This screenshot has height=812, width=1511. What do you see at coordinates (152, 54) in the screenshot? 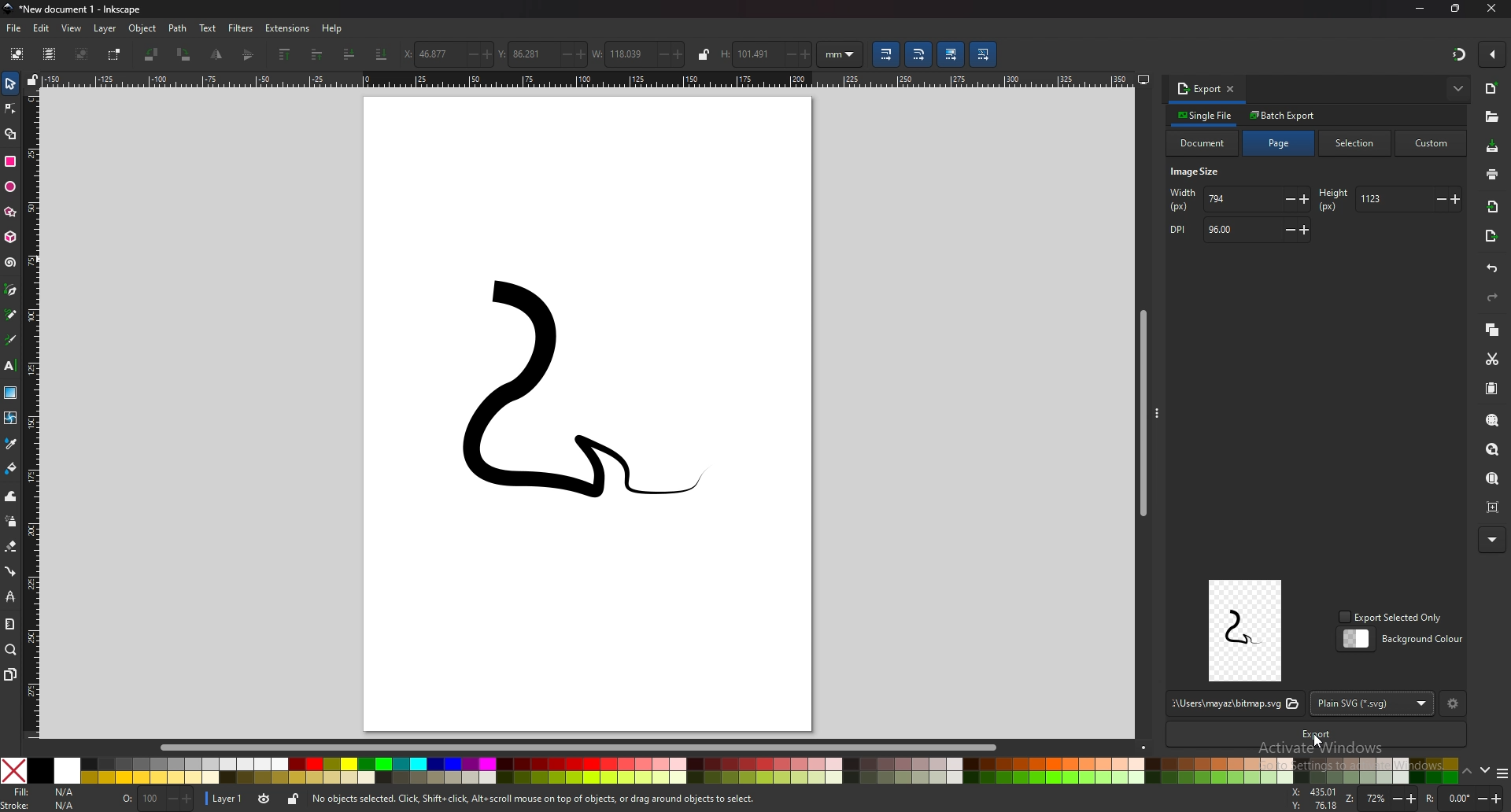
I see `rotate 90 degree ccw` at bounding box center [152, 54].